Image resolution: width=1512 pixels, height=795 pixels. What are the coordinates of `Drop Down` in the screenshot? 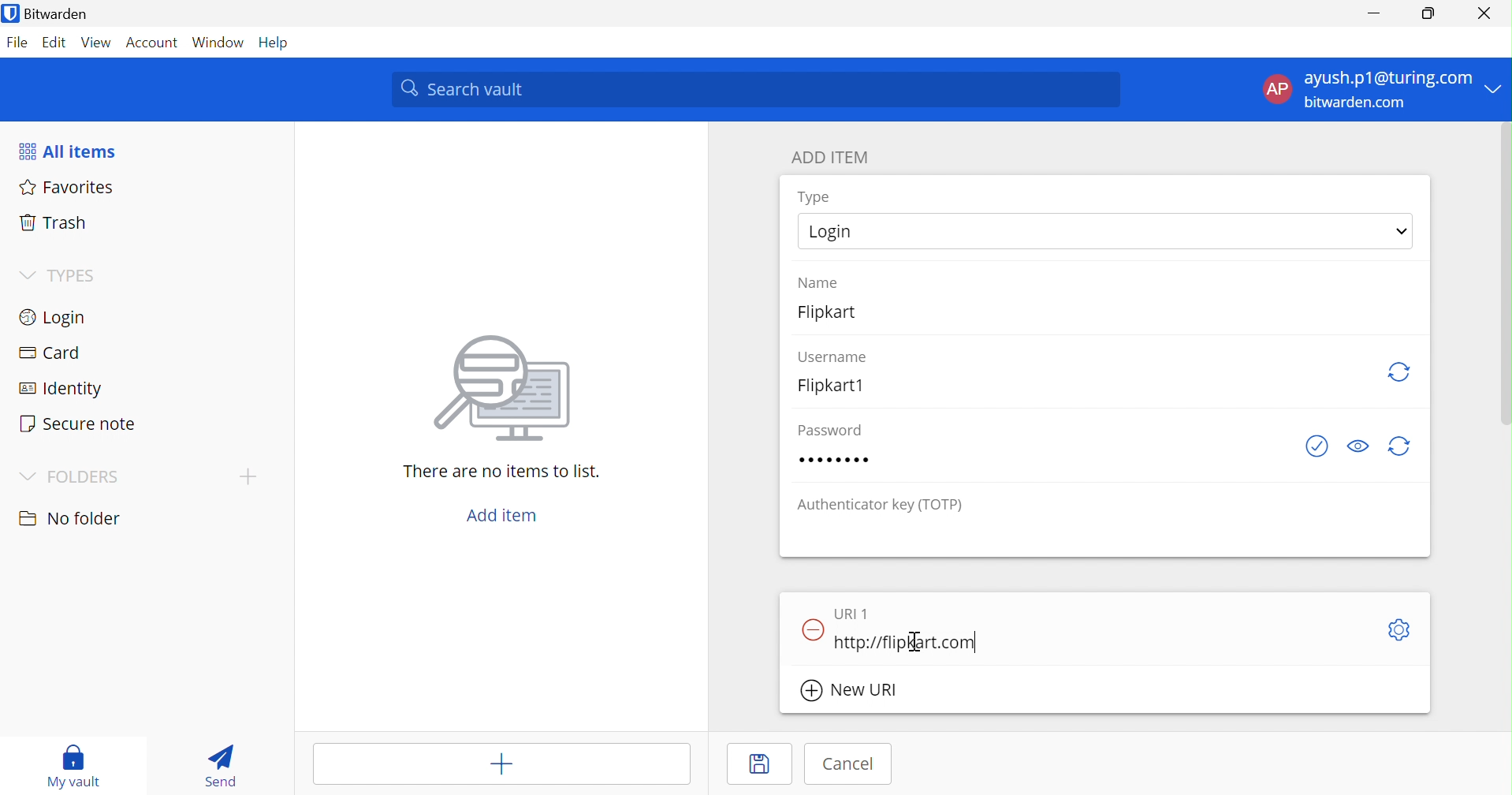 It's located at (25, 273).